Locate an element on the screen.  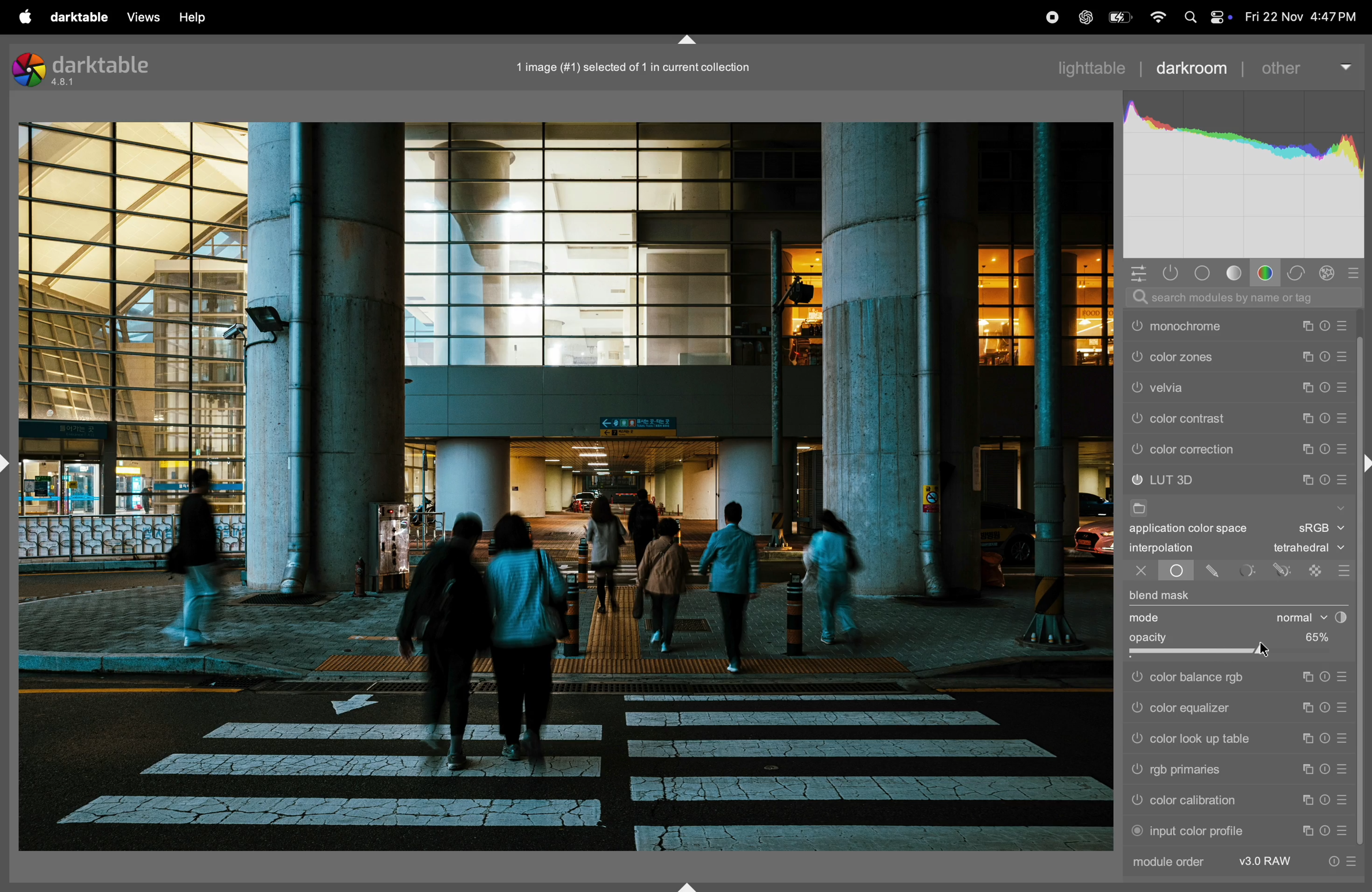
multiple instance actions is located at coordinates (1309, 678).